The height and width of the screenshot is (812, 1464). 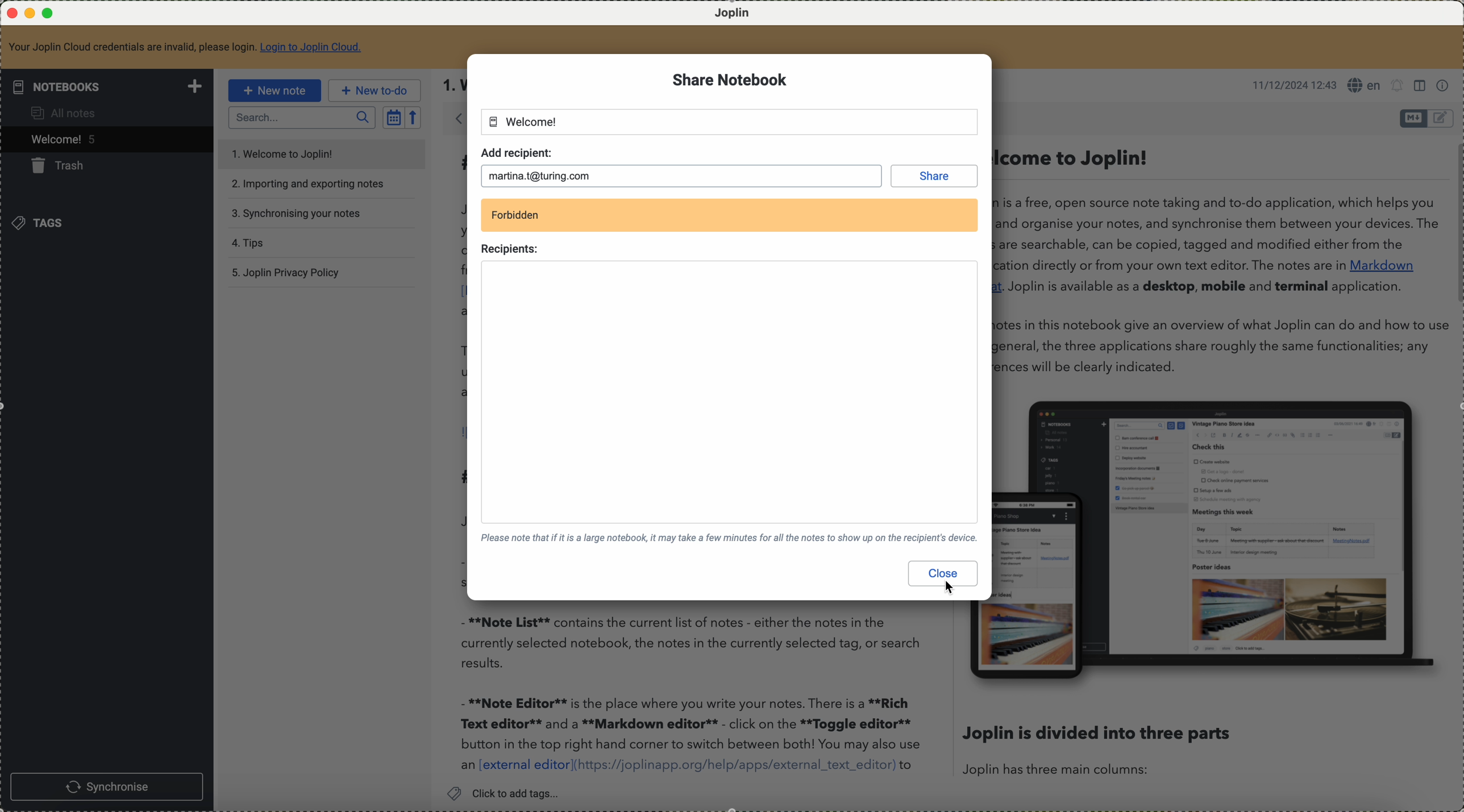 I want to click on maximize Joplin, so click(x=50, y=14).